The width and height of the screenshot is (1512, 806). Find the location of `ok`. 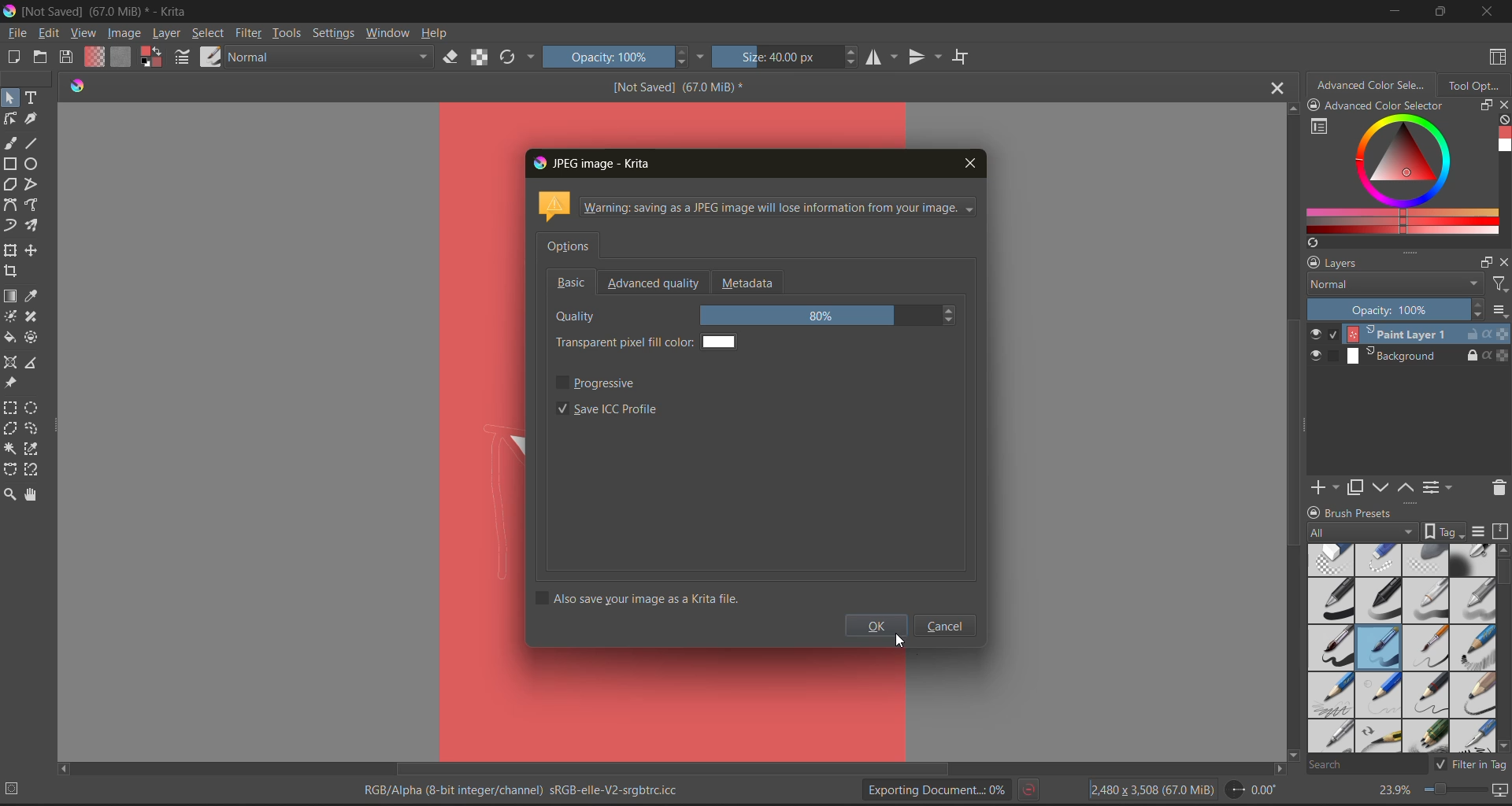

ok is located at coordinates (878, 624).